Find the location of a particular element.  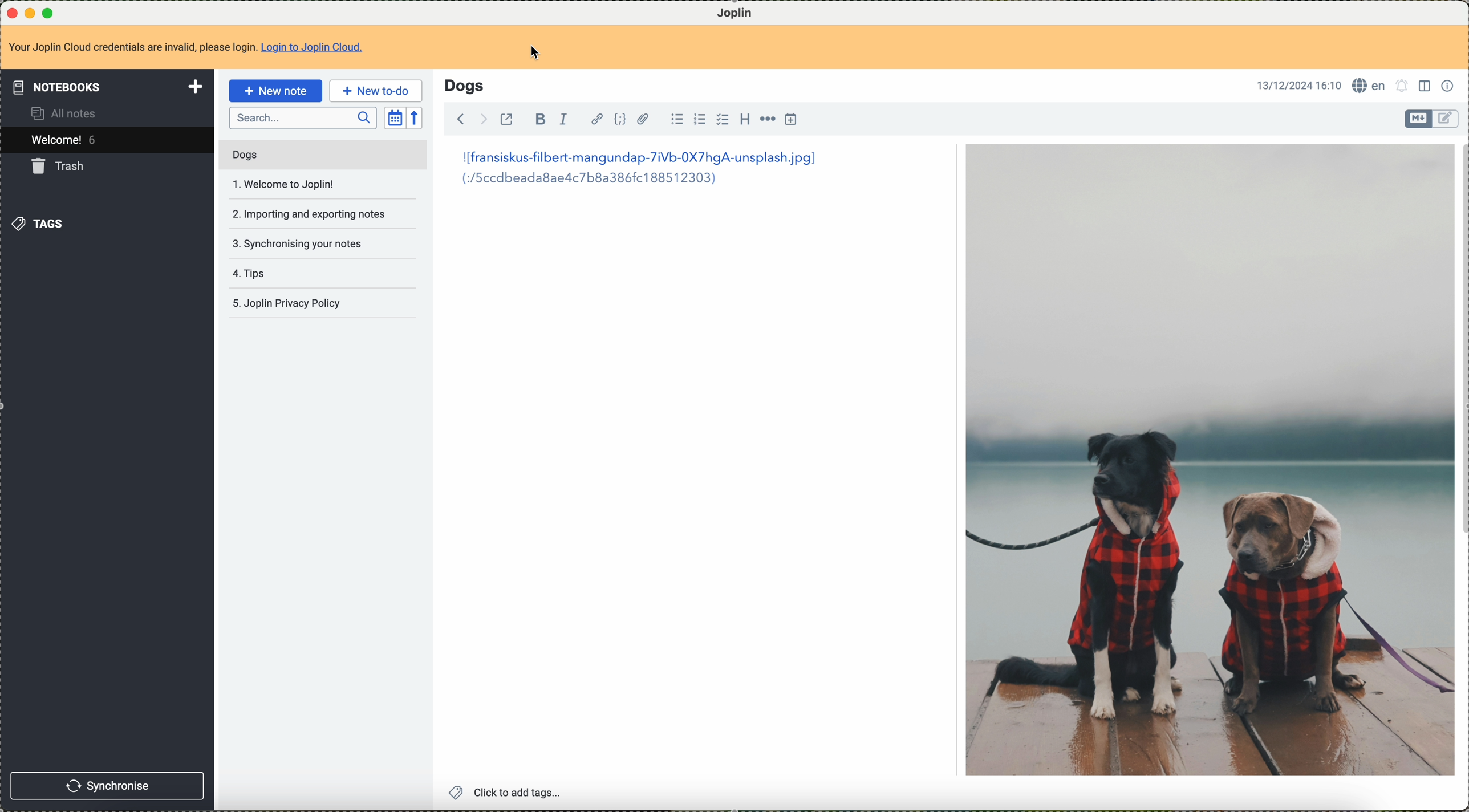

minimize program is located at coordinates (30, 11).